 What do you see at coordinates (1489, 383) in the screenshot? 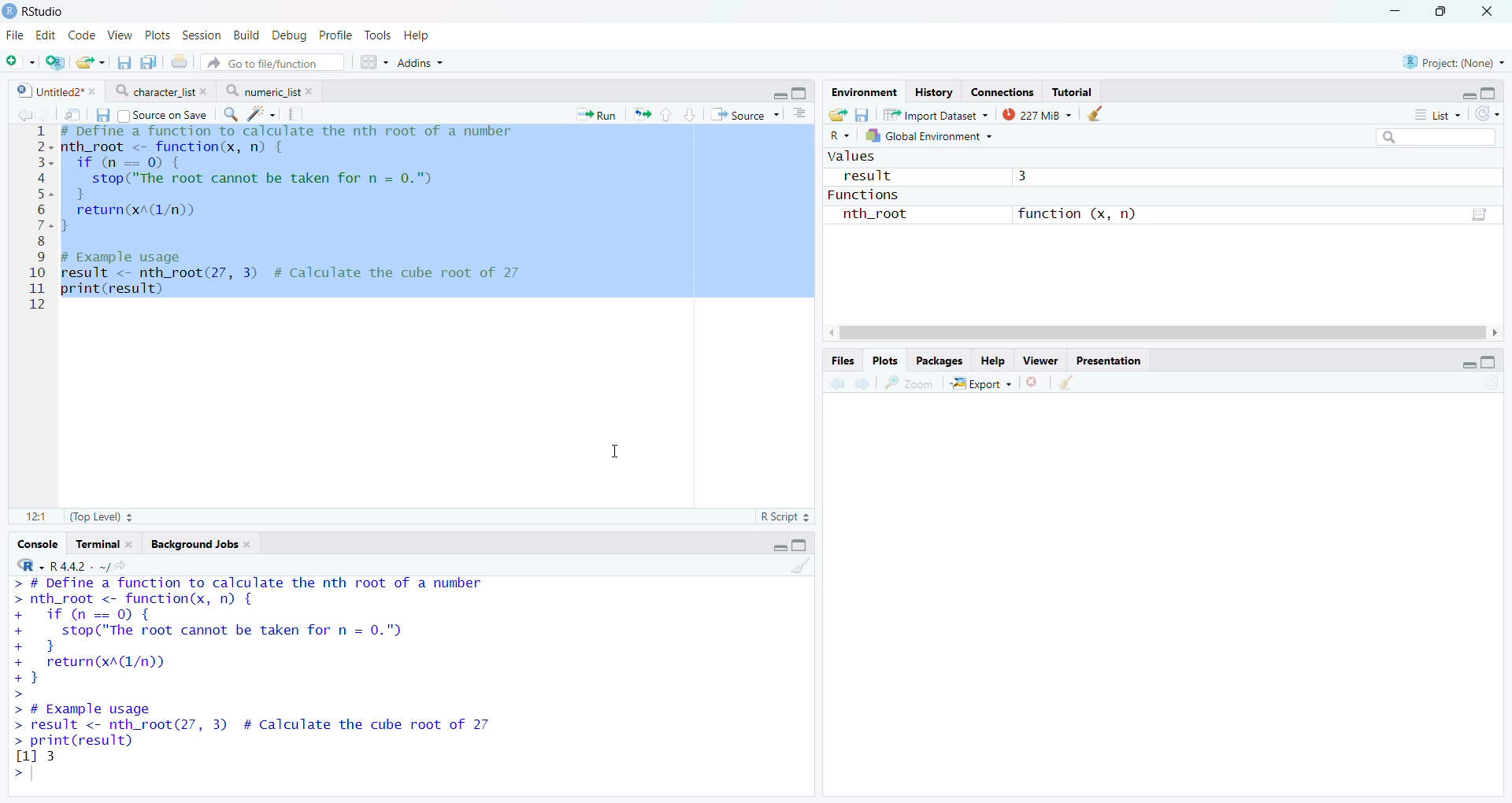
I see `Refresh list` at bounding box center [1489, 383].